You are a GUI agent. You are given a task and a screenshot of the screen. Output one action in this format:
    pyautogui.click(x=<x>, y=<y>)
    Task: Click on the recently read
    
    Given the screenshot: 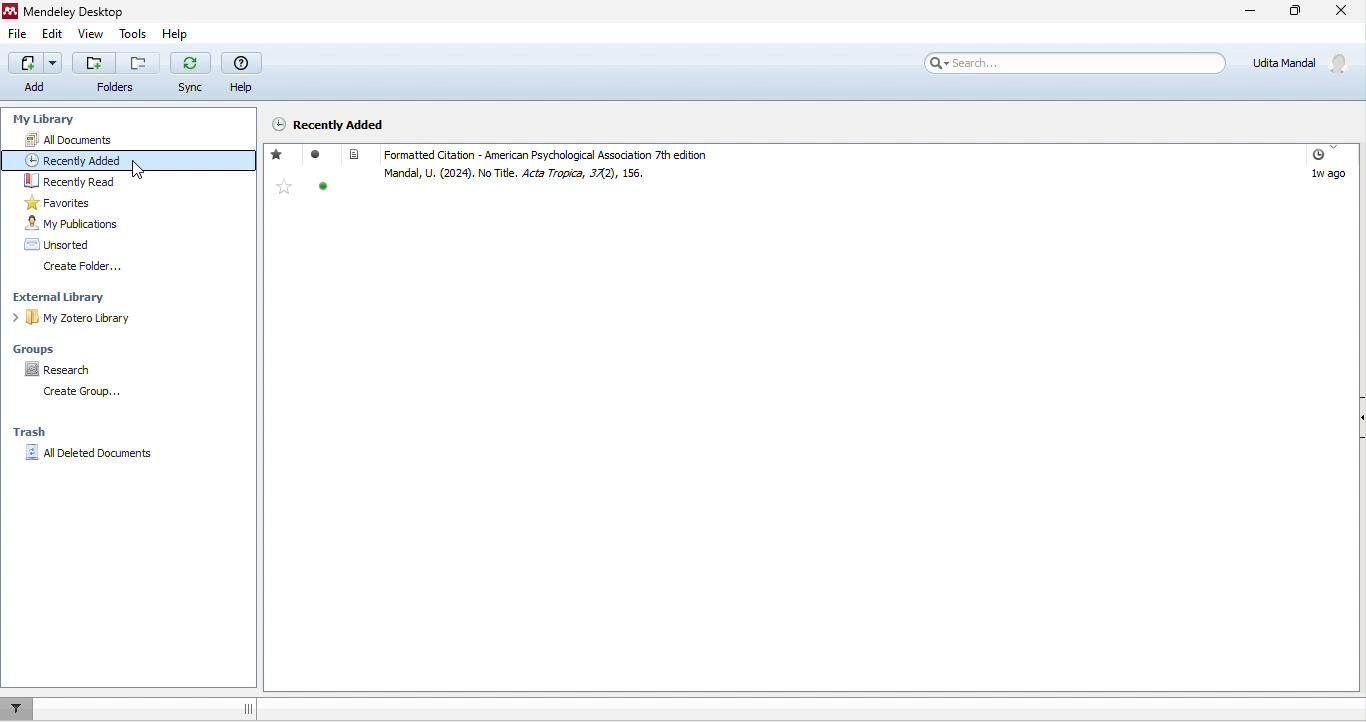 What is the action you would take?
    pyautogui.click(x=67, y=182)
    